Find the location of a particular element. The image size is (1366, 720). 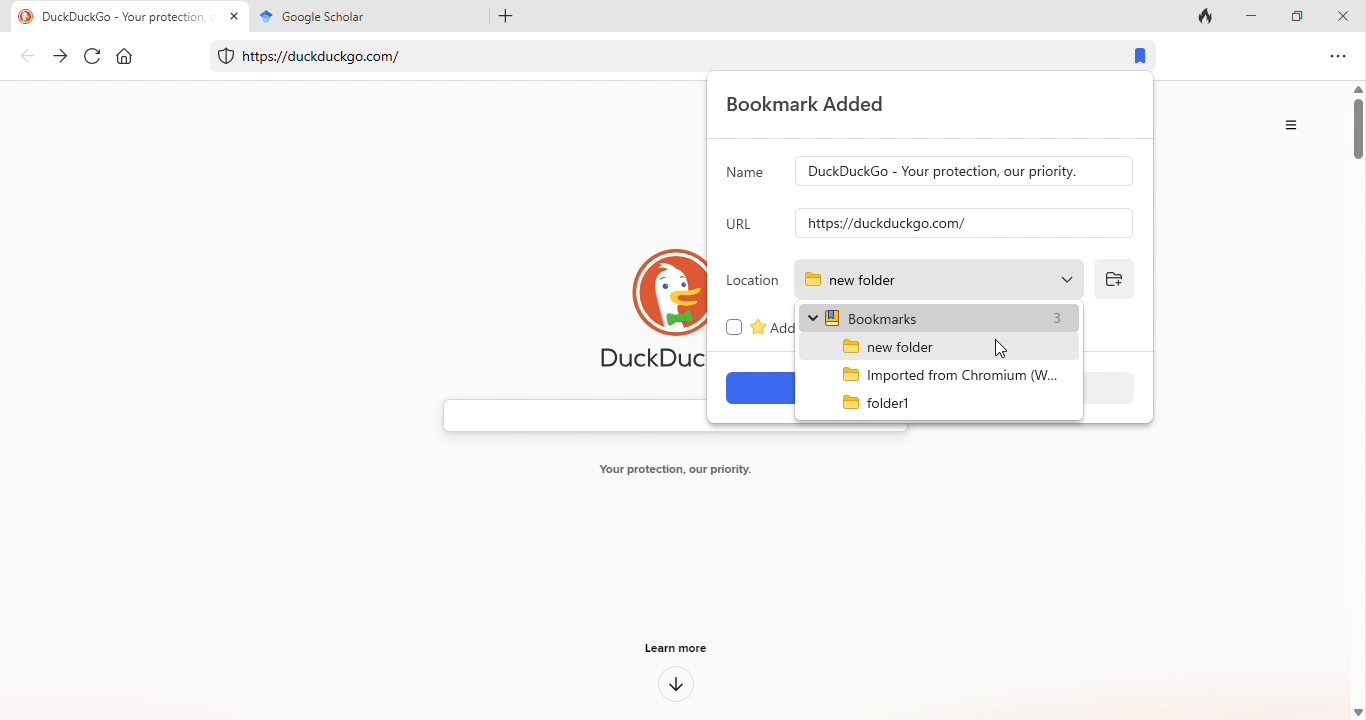

forward is located at coordinates (61, 56).